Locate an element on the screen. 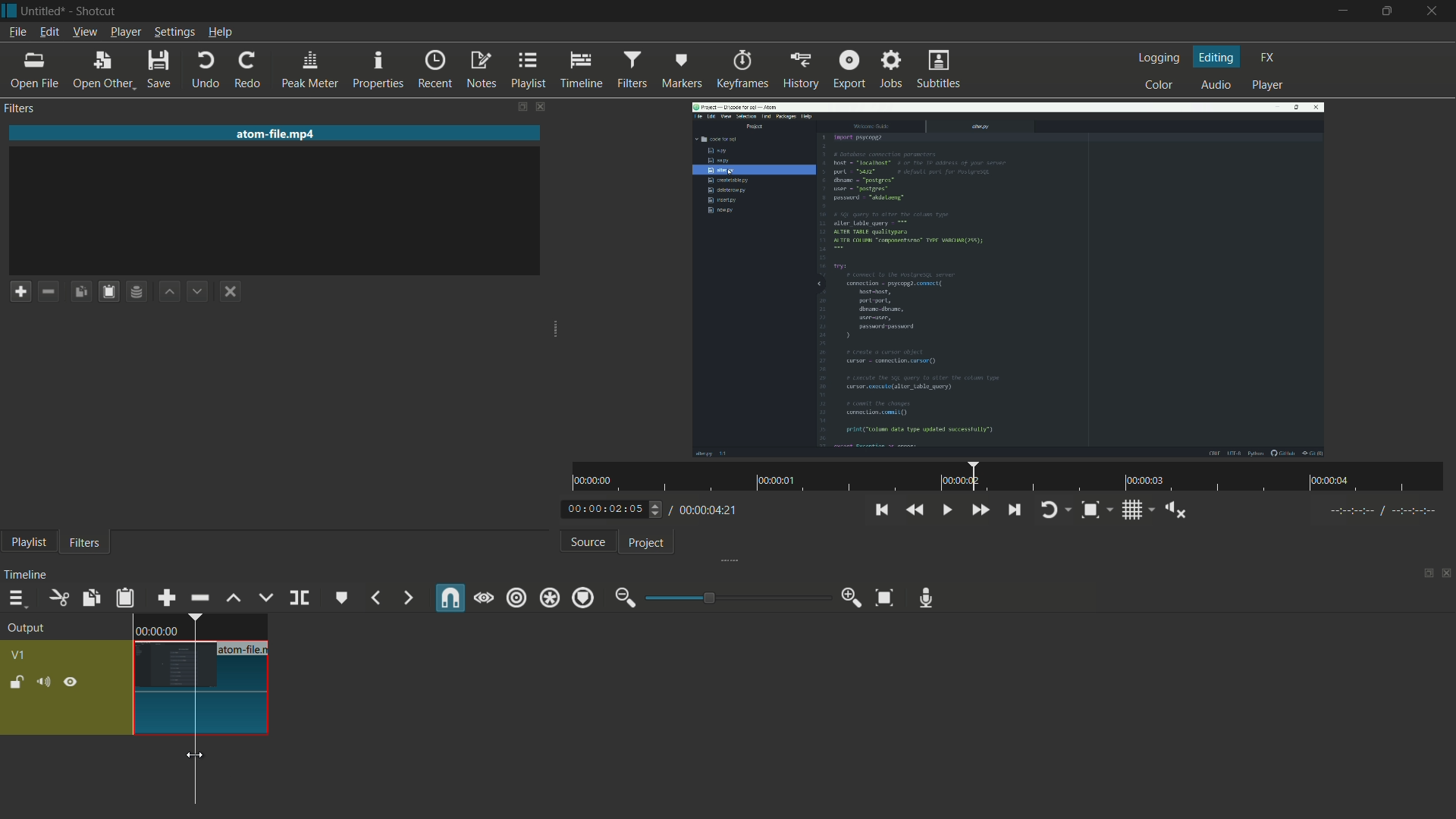 This screenshot has width=1456, height=819. minimize is located at coordinates (1341, 11).